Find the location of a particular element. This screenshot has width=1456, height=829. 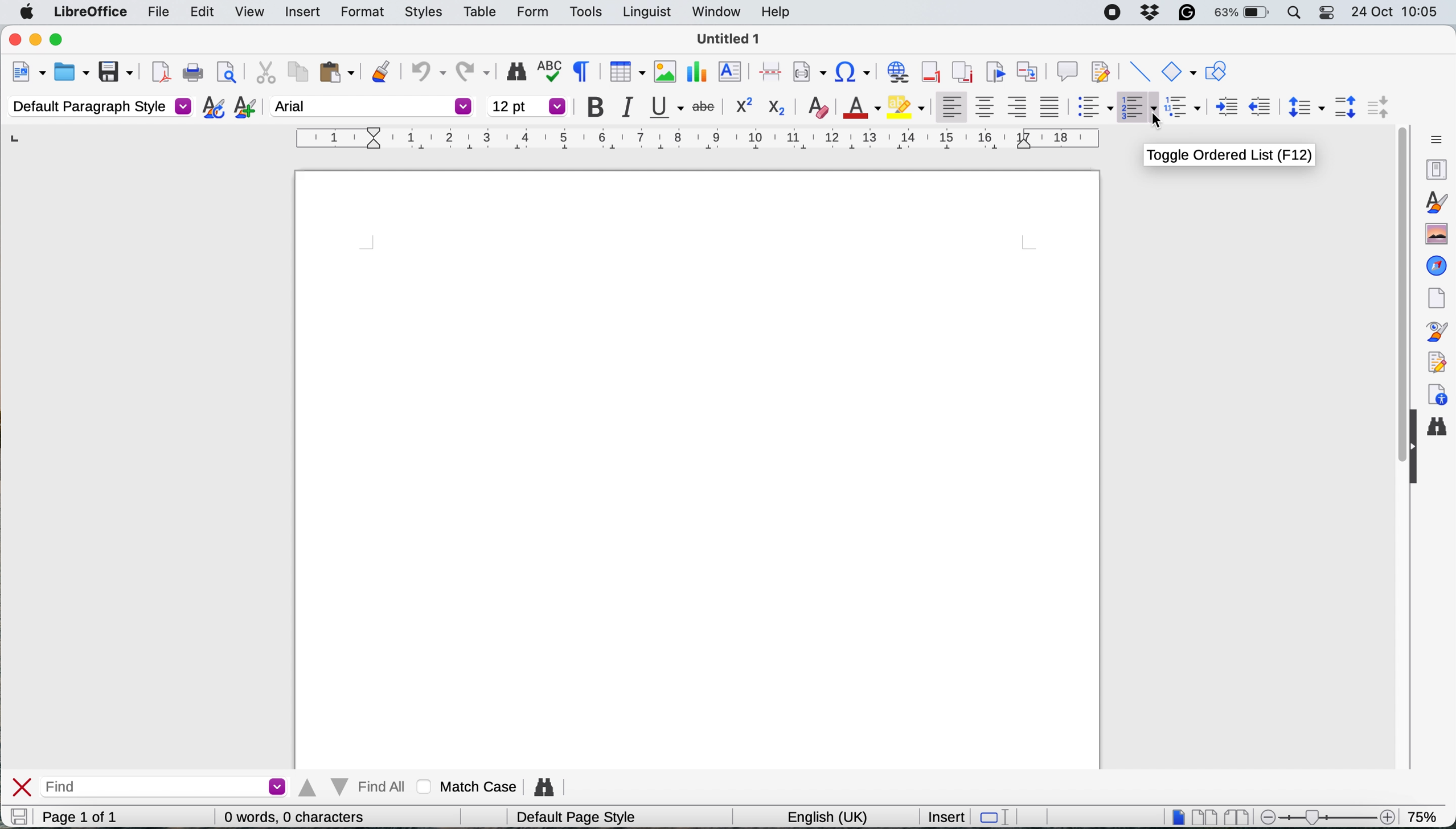

insert endnote is located at coordinates (961, 71).